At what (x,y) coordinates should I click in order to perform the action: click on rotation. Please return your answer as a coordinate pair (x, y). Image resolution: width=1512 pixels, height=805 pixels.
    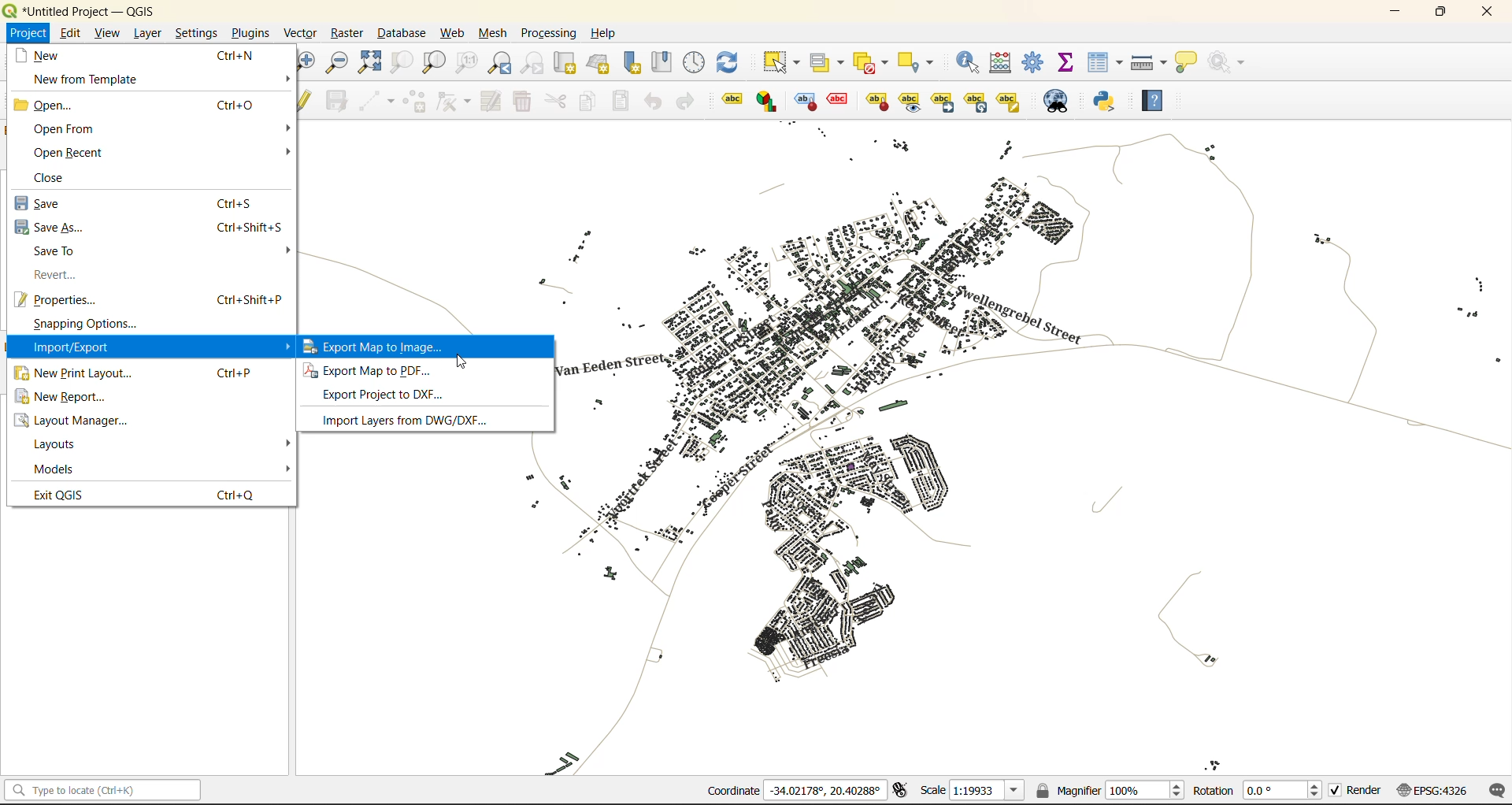
    Looking at the image, I should click on (1258, 789).